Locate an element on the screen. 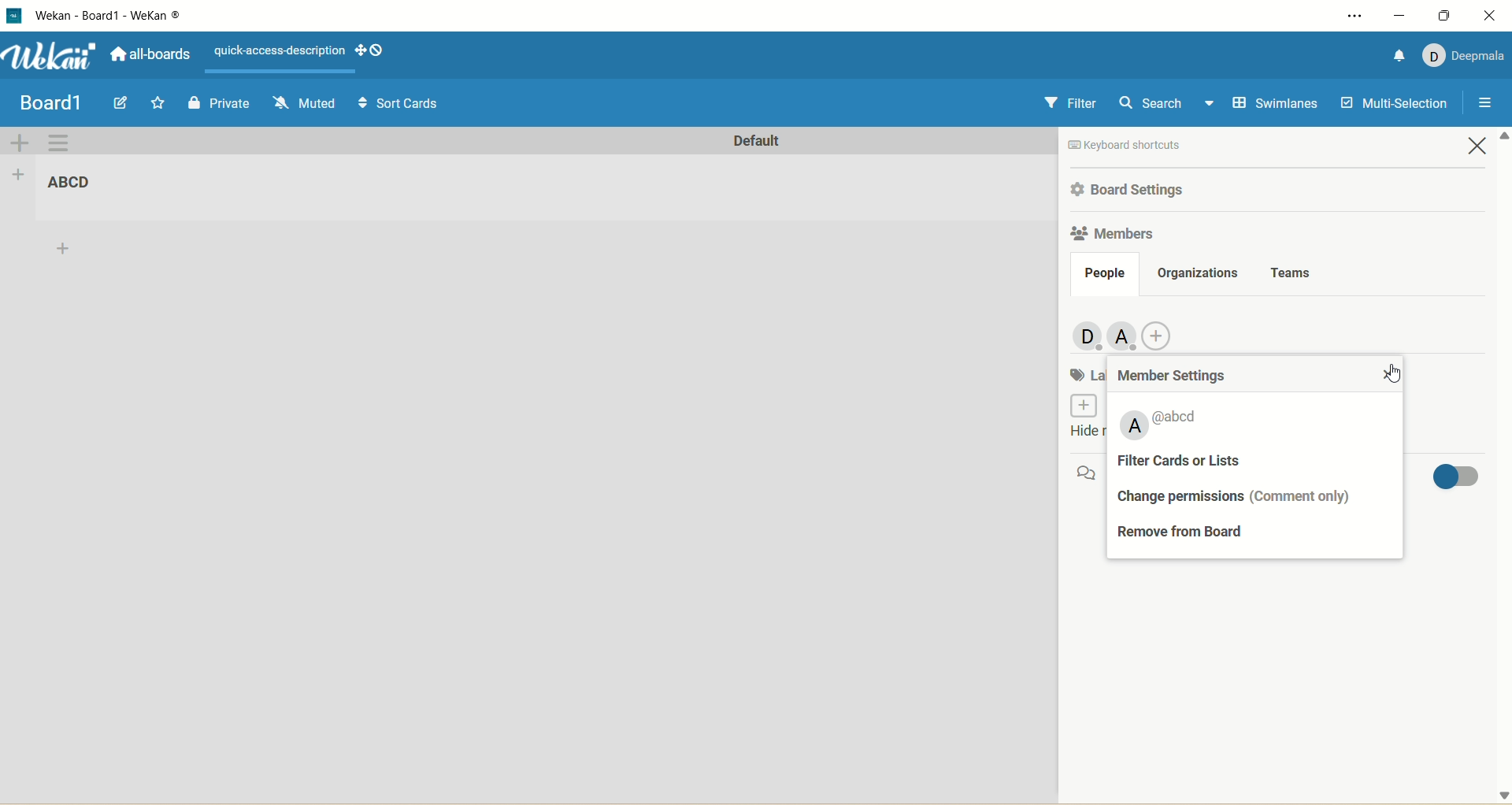 This screenshot has height=805, width=1512. close/open sidebar is located at coordinates (1483, 106).